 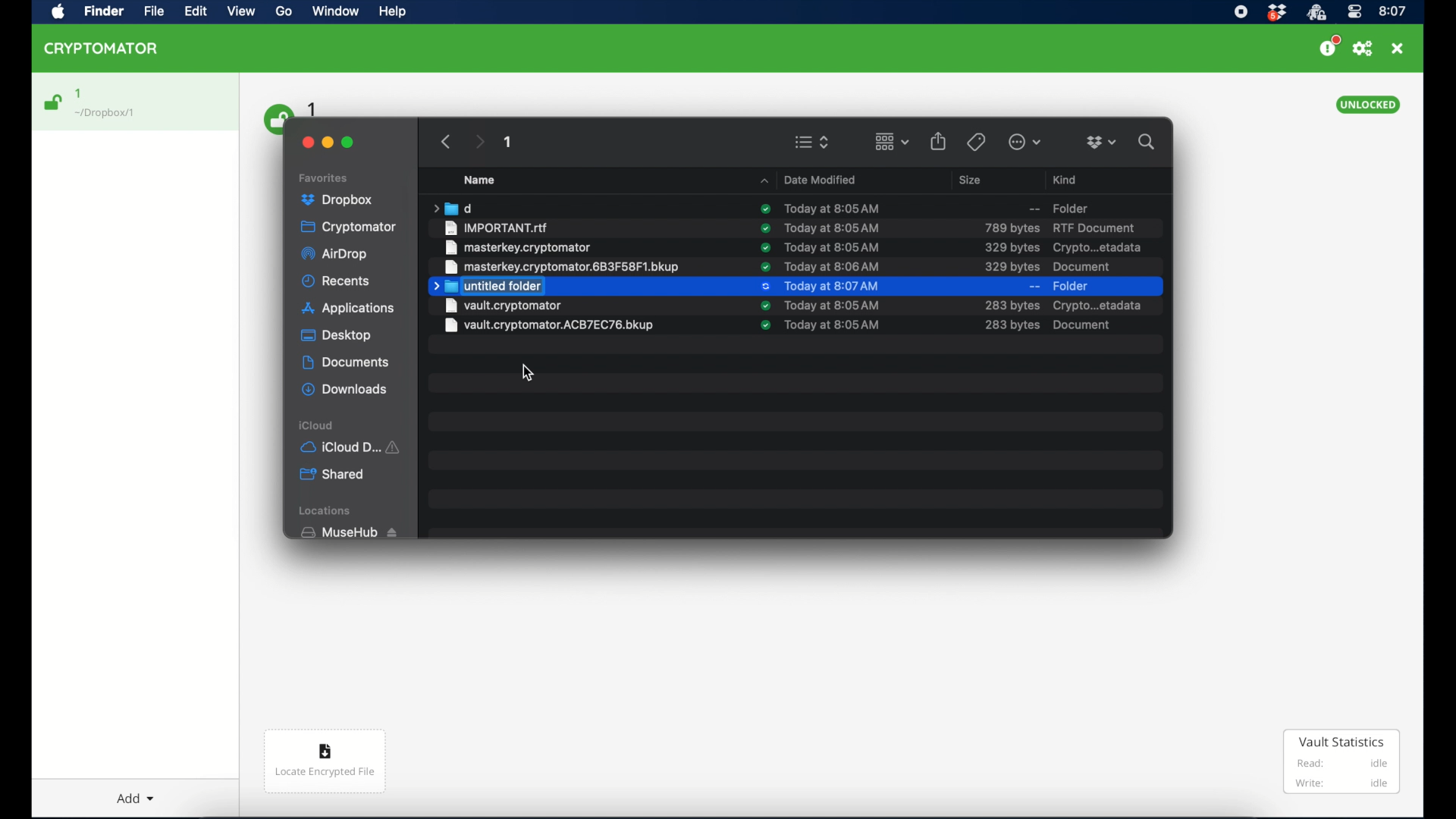 What do you see at coordinates (1097, 248) in the screenshot?
I see `crypto` at bounding box center [1097, 248].